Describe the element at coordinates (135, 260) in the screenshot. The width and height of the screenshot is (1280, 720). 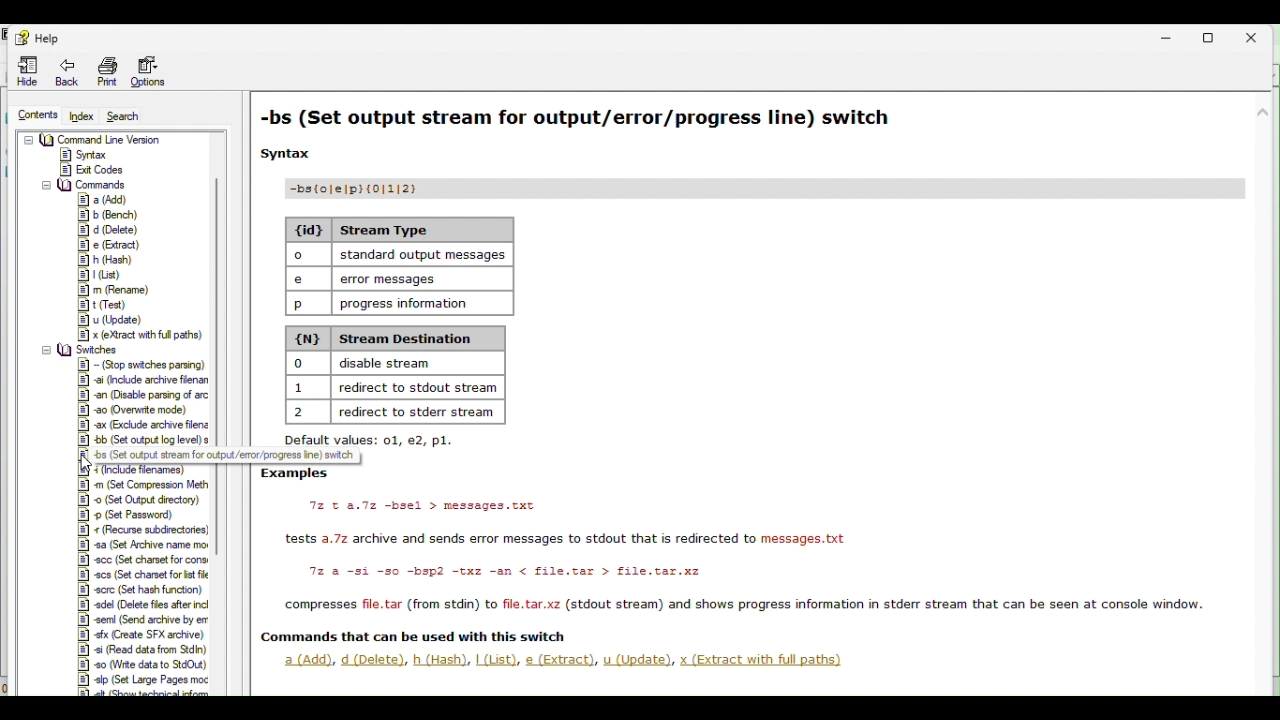
I see `Commands` at that location.